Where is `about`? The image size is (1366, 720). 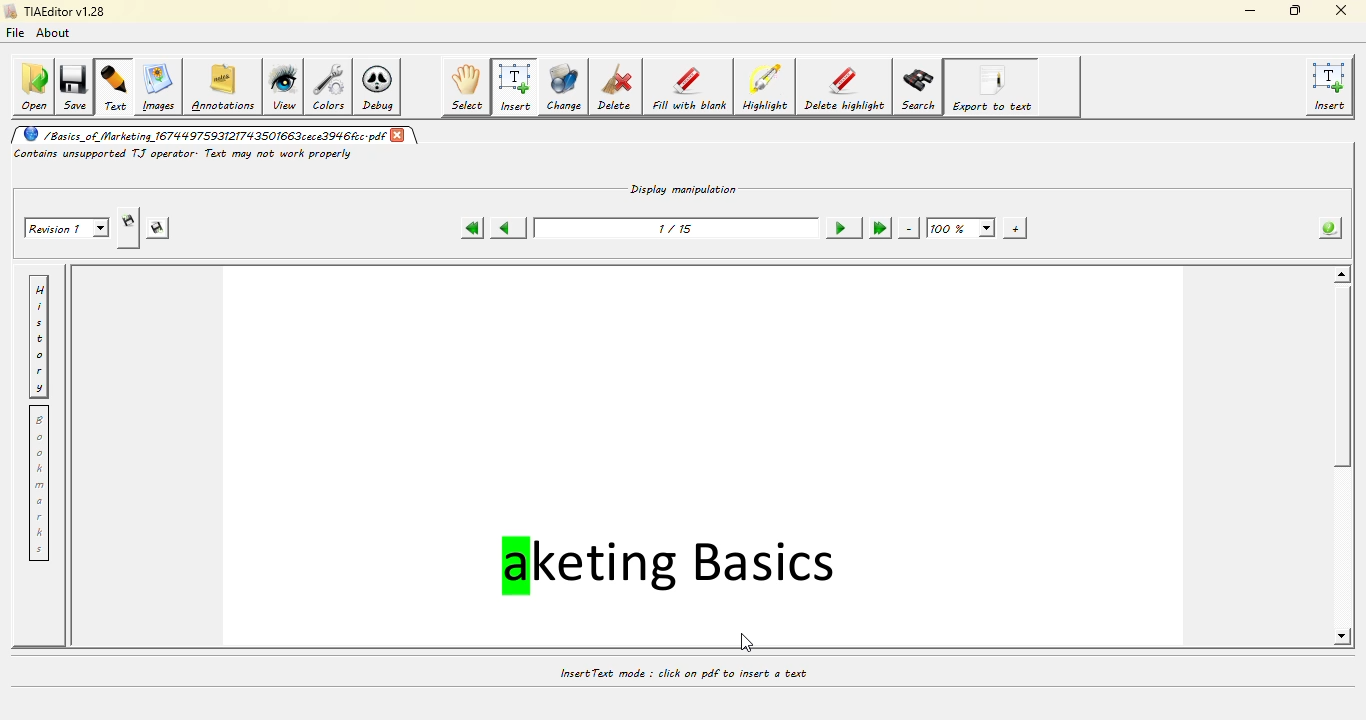
about is located at coordinates (56, 32).